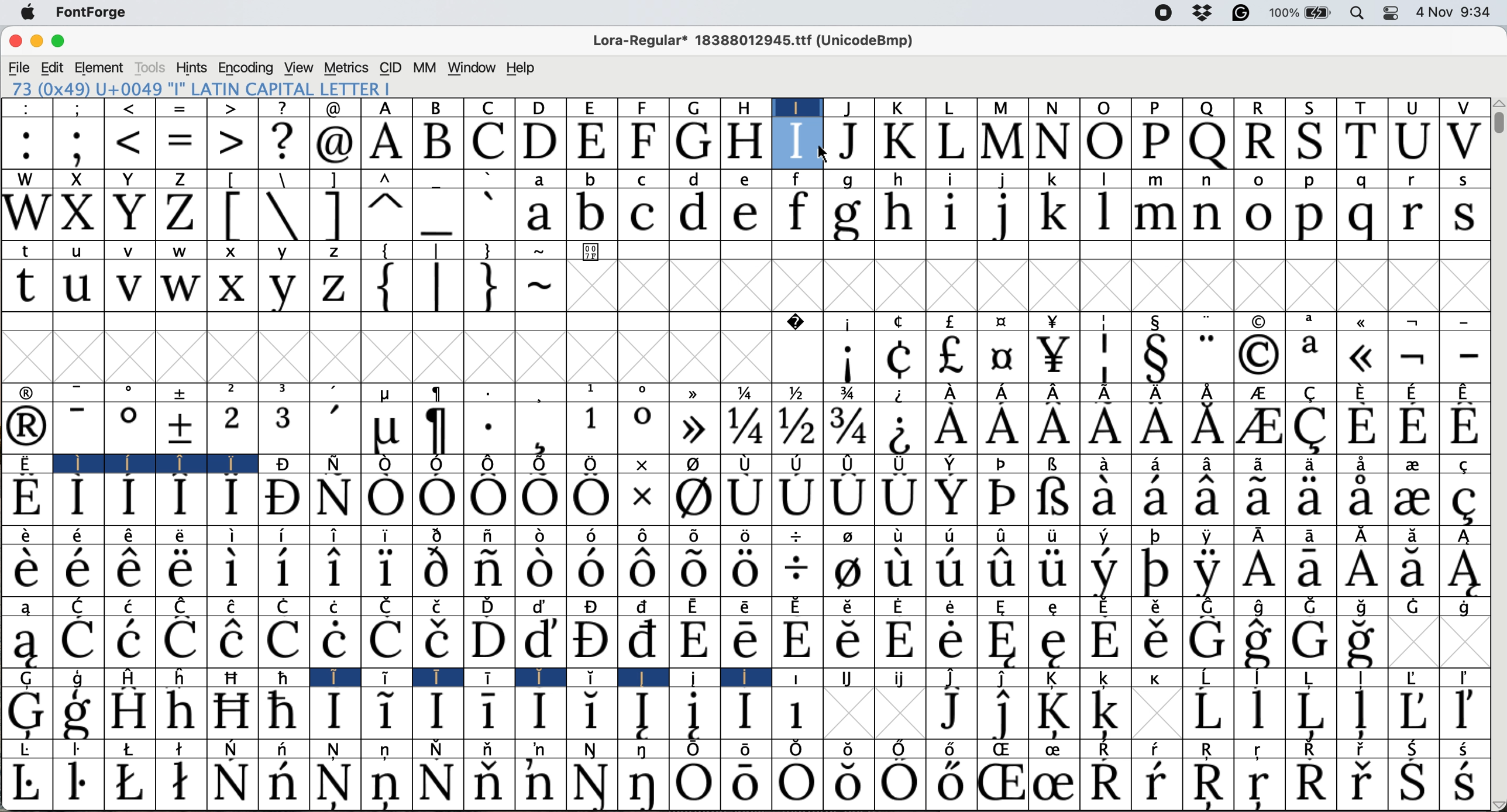 This screenshot has width=1507, height=812. What do you see at coordinates (53, 68) in the screenshot?
I see `edit` at bounding box center [53, 68].